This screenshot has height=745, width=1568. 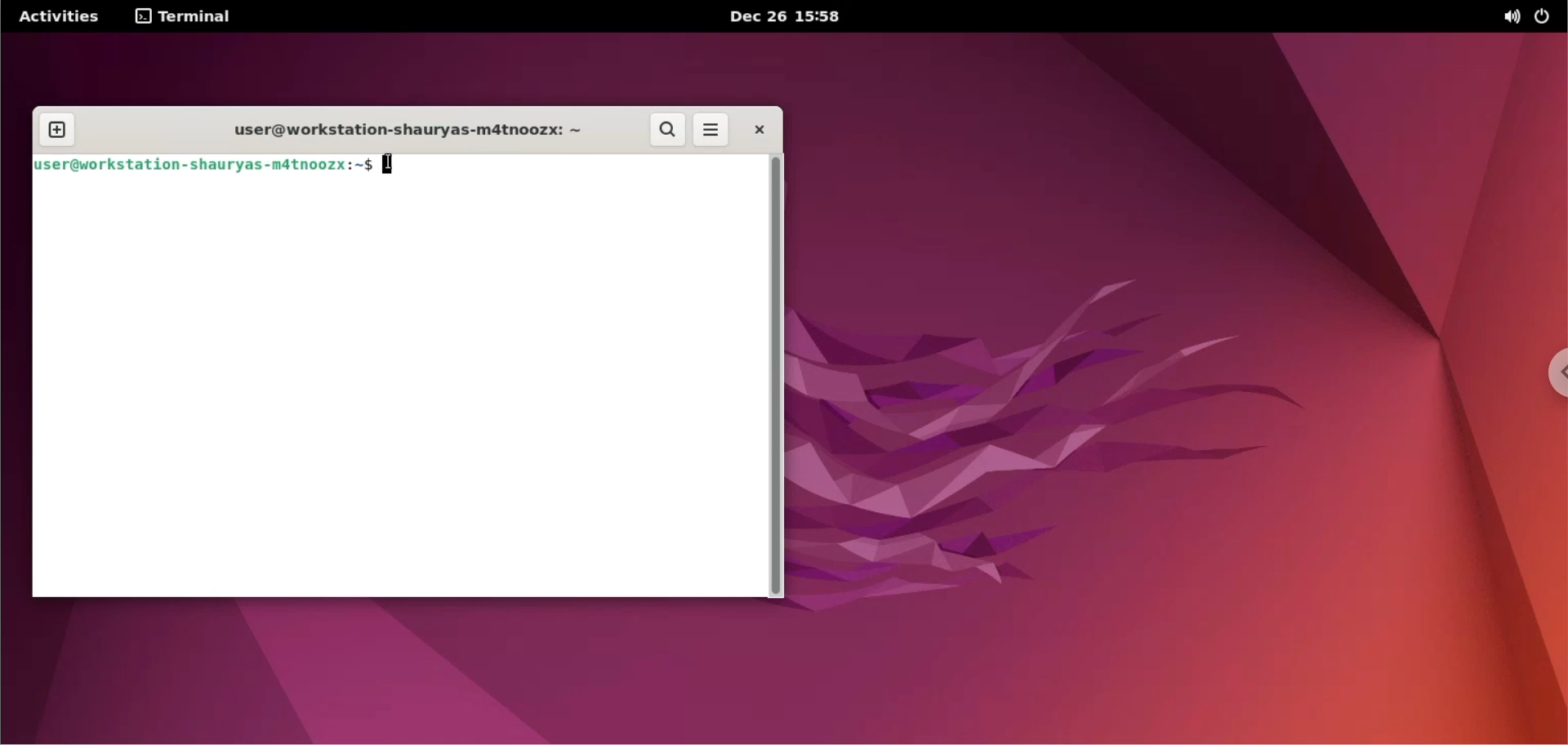 What do you see at coordinates (55, 132) in the screenshot?
I see `new tab` at bounding box center [55, 132].